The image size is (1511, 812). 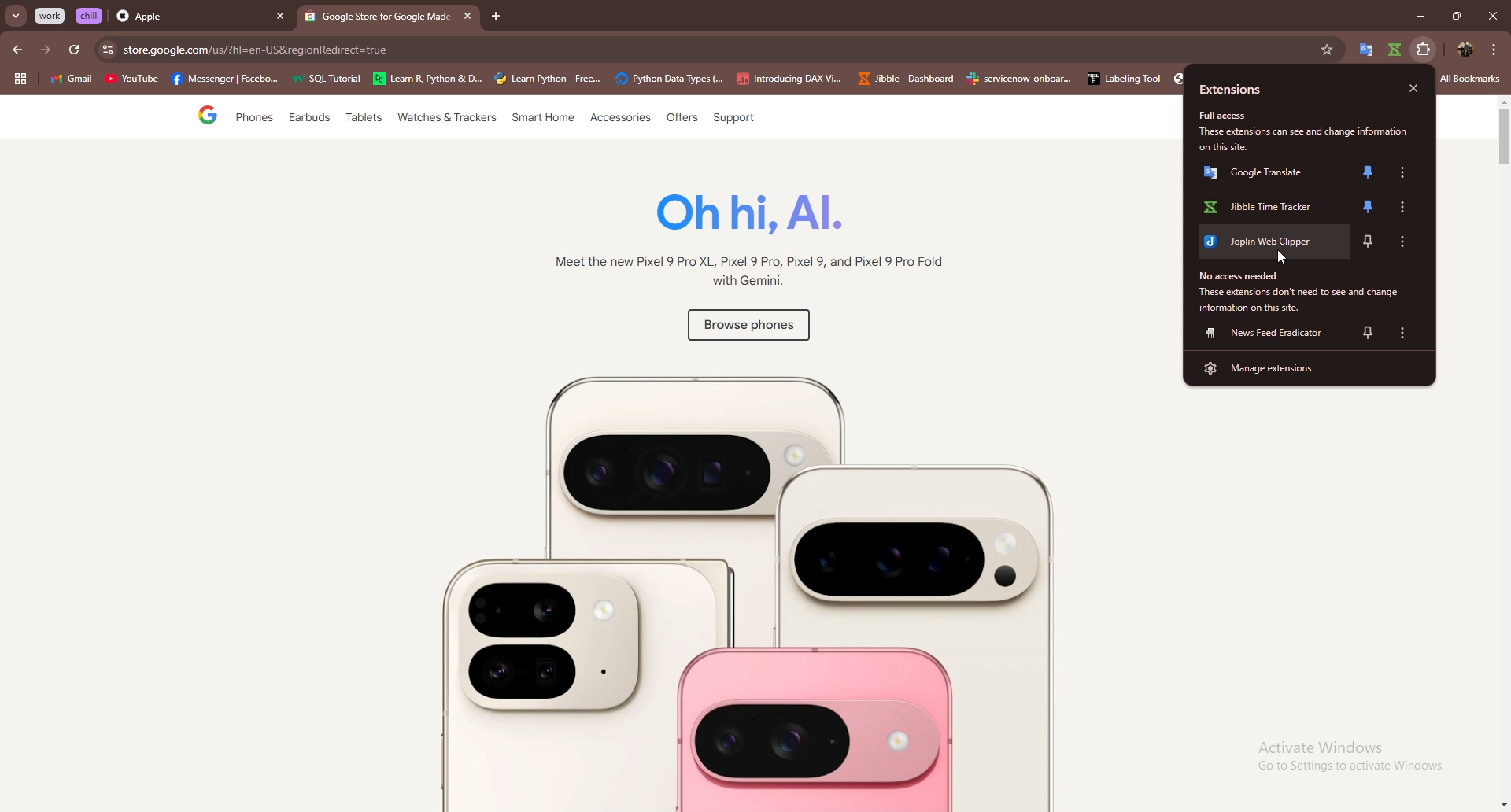 What do you see at coordinates (131, 81) in the screenshot?
I see `YouTube` at bounding box center [131, 81].